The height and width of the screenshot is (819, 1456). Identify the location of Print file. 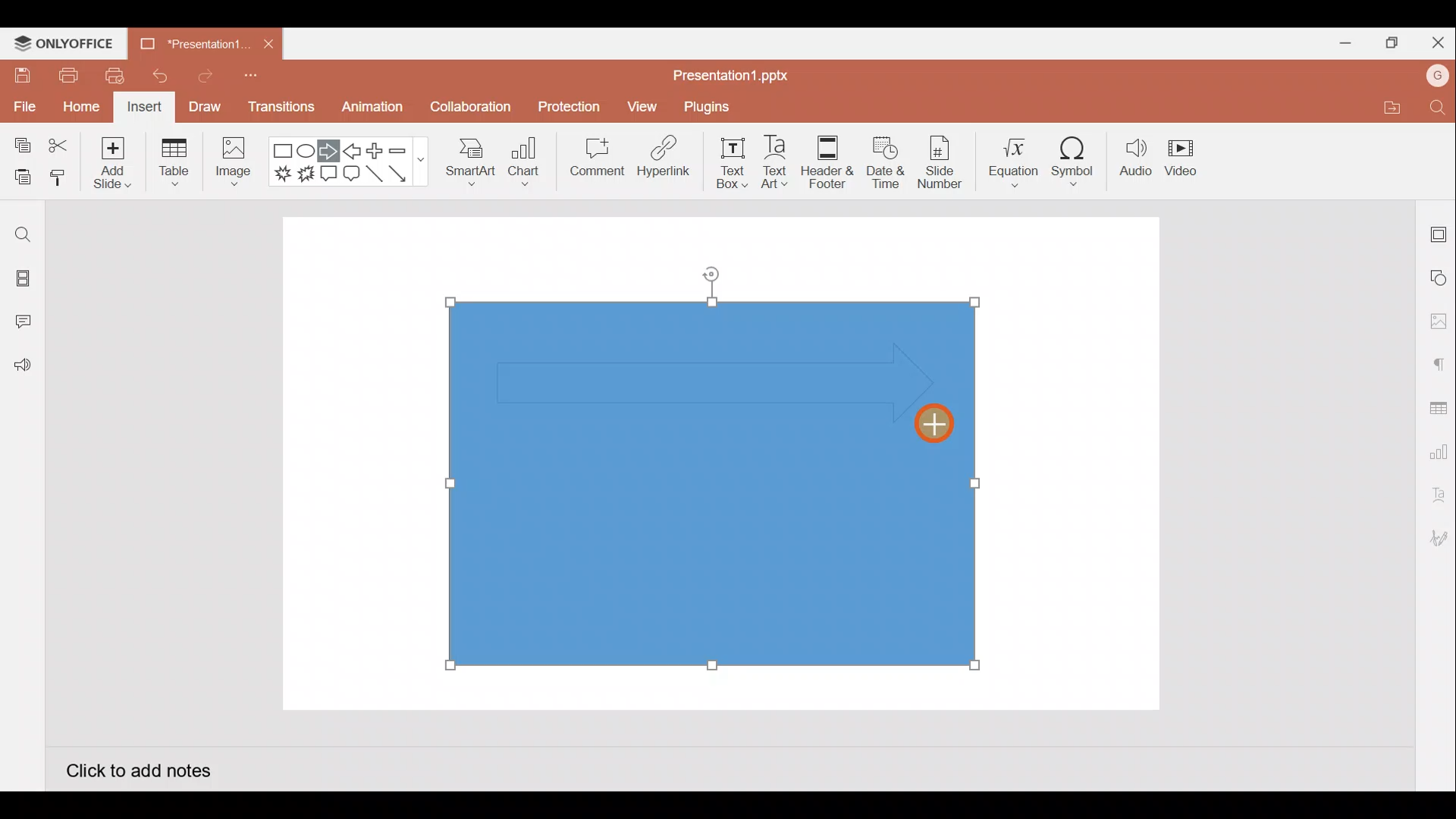
(67, 74).